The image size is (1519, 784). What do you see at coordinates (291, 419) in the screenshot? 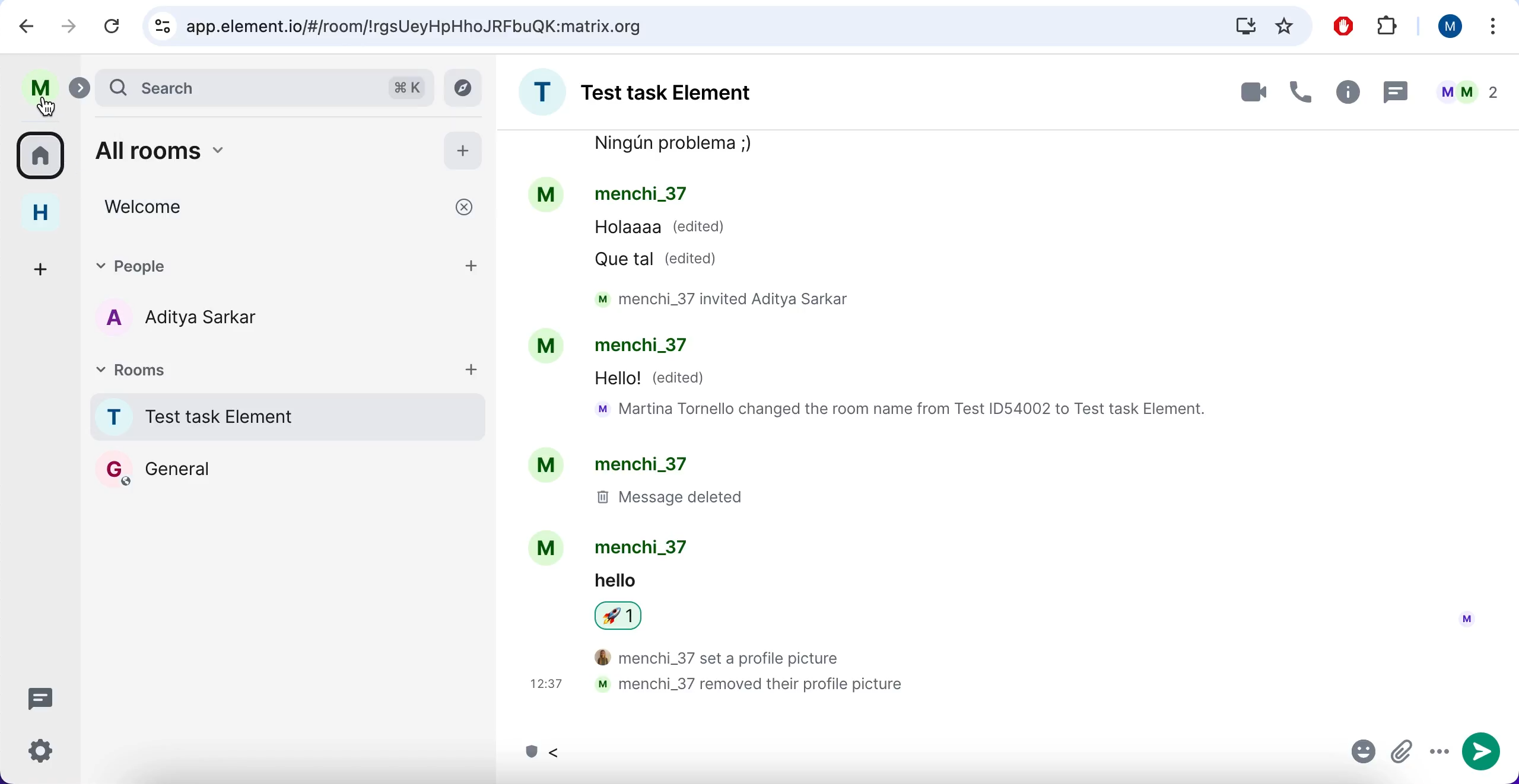
I see `chat room` at bounding box center [291, 419].